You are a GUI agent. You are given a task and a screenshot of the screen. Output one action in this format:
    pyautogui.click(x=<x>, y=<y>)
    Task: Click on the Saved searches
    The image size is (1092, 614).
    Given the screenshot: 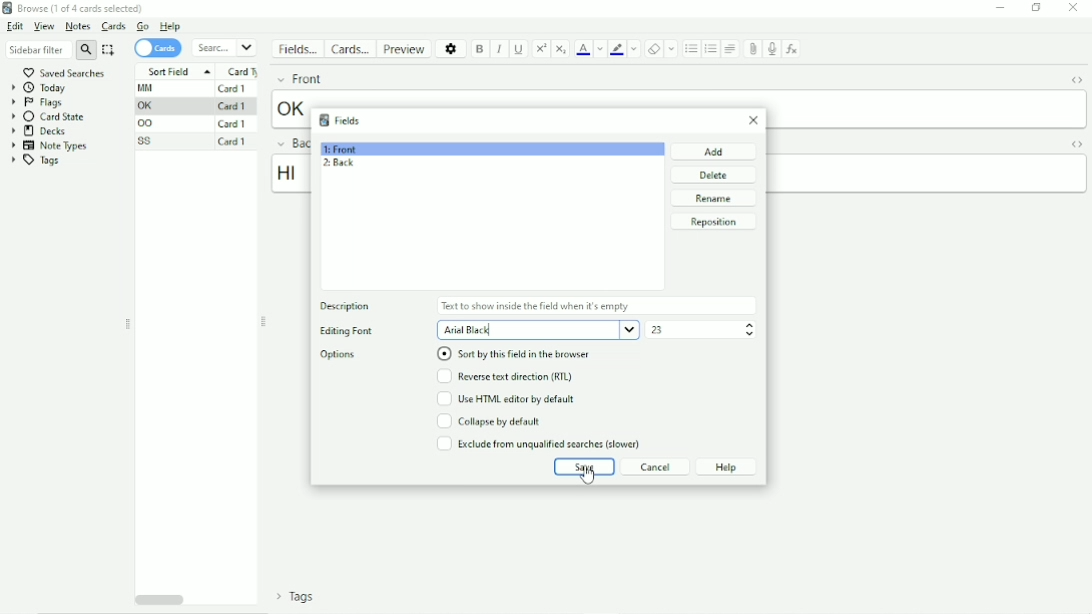 What is the action you would take?
    pyautogui.click(x=71, y=72)
    